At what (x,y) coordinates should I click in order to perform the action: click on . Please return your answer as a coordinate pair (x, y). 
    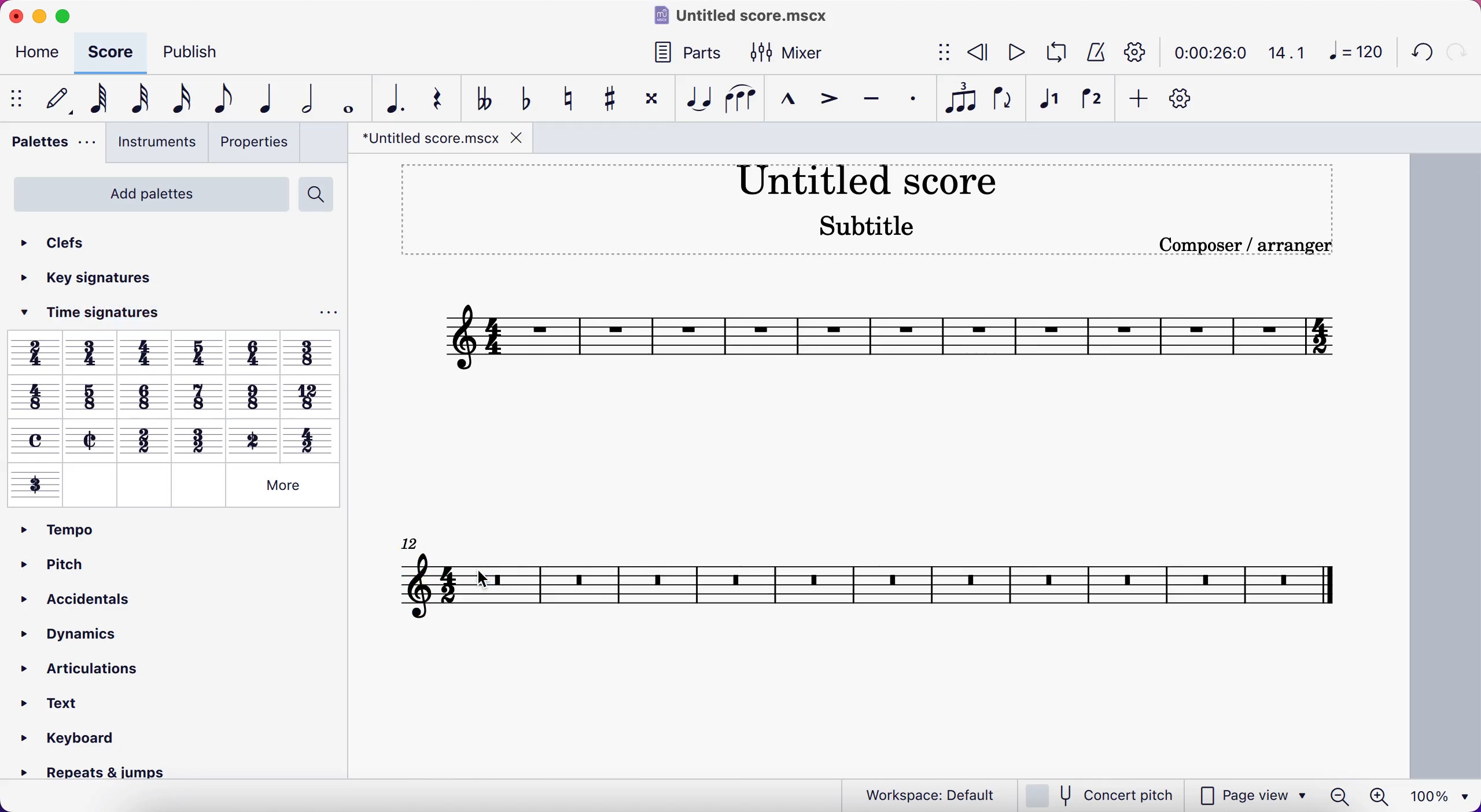
    Looking at the image, I should click on (254, 353).